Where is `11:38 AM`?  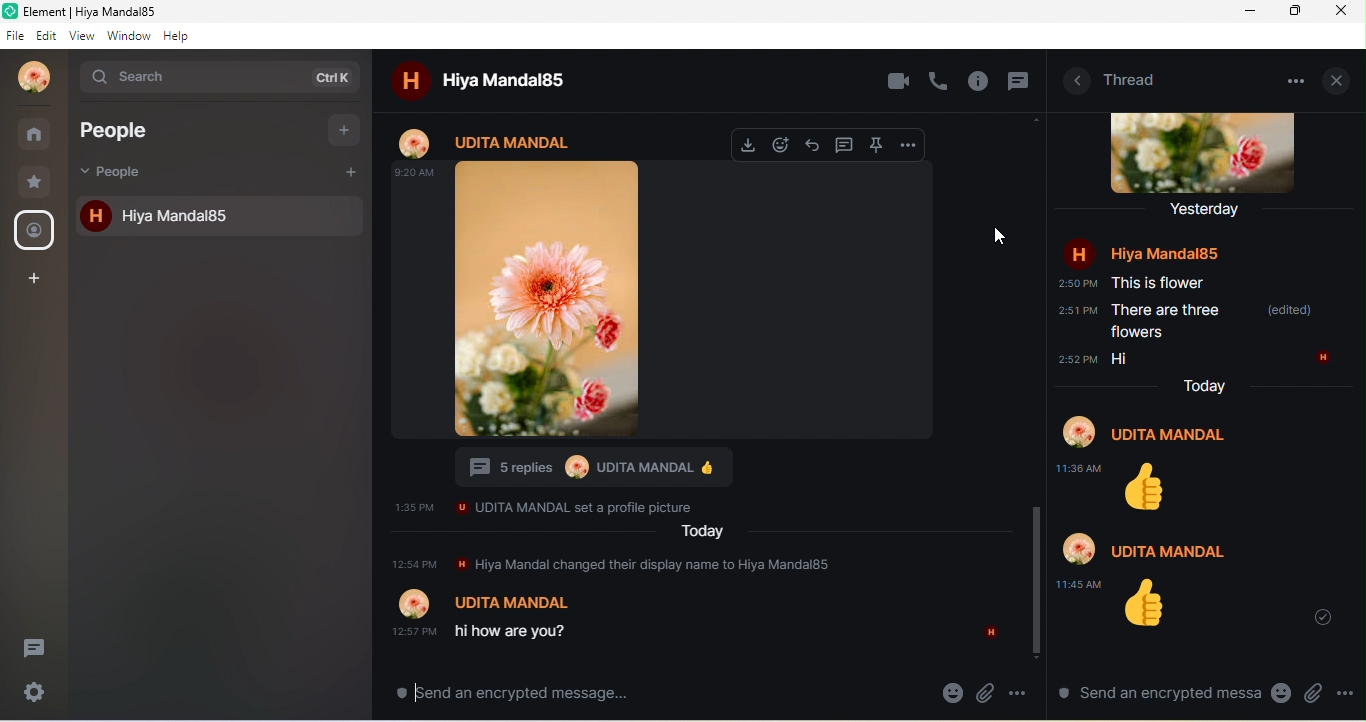 11:38 AM is located at coordinates (1079, 468).